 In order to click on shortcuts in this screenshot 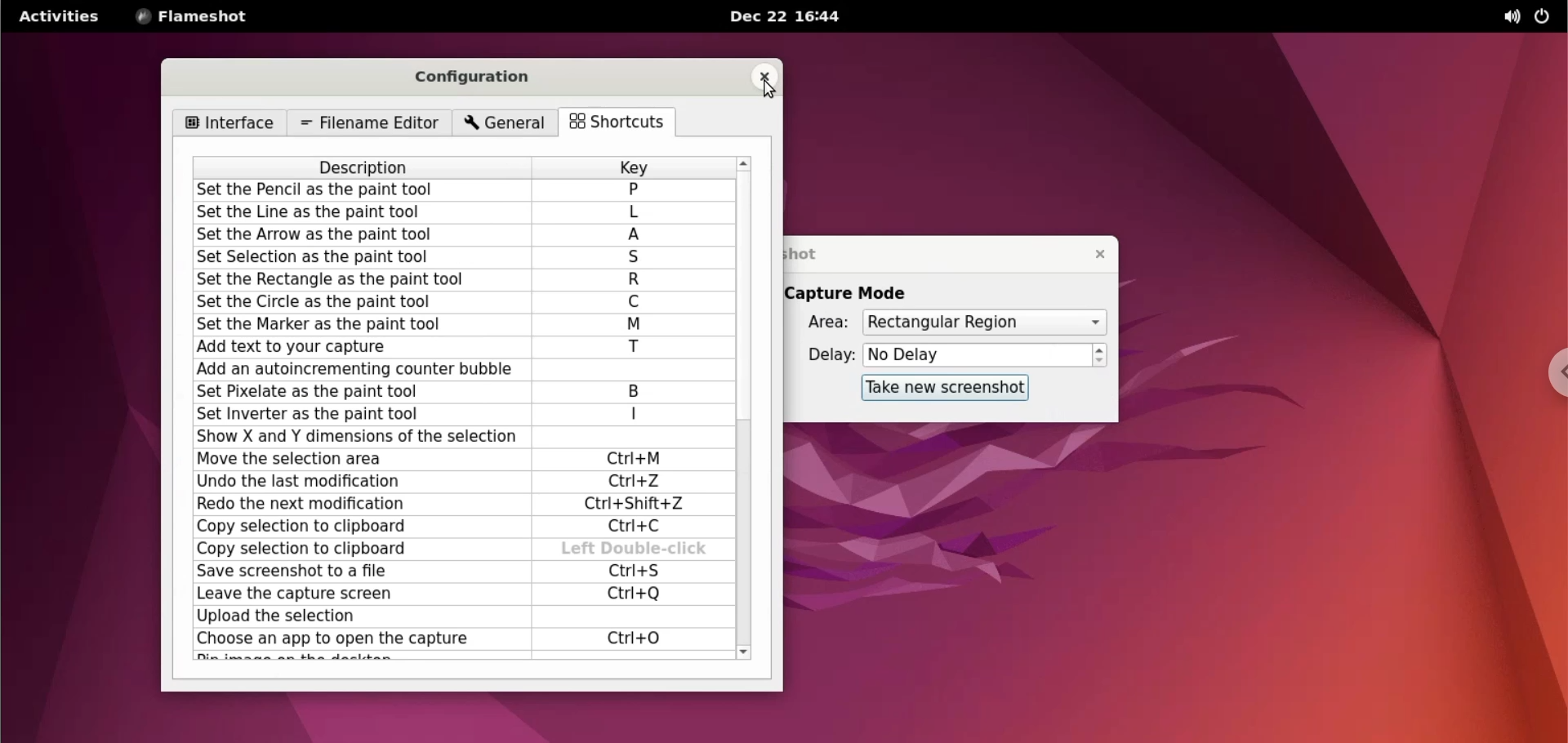, I will do `click(623, 123)`.